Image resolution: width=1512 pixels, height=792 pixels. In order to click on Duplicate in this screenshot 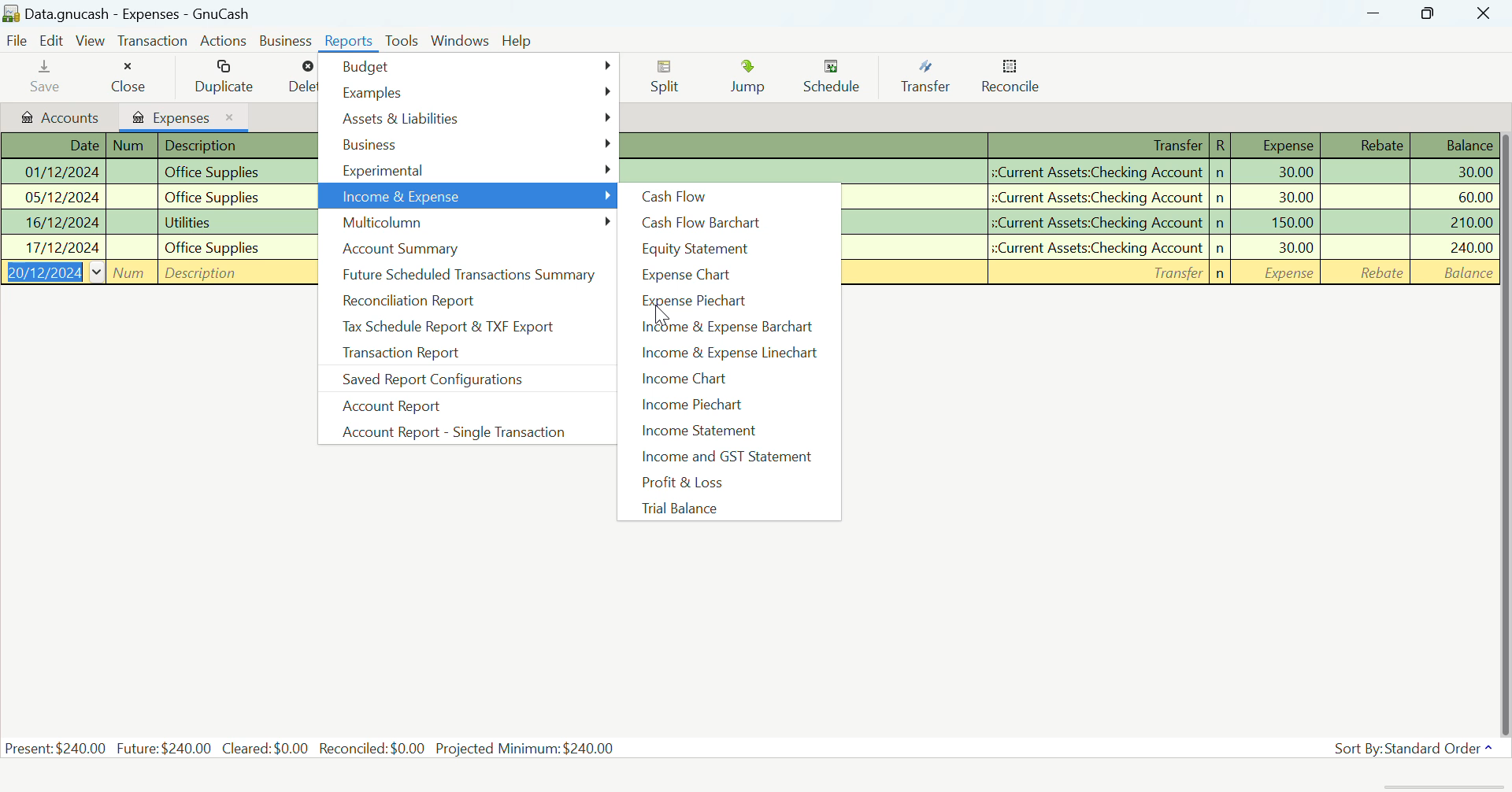, I will do `click(227, 76)`.